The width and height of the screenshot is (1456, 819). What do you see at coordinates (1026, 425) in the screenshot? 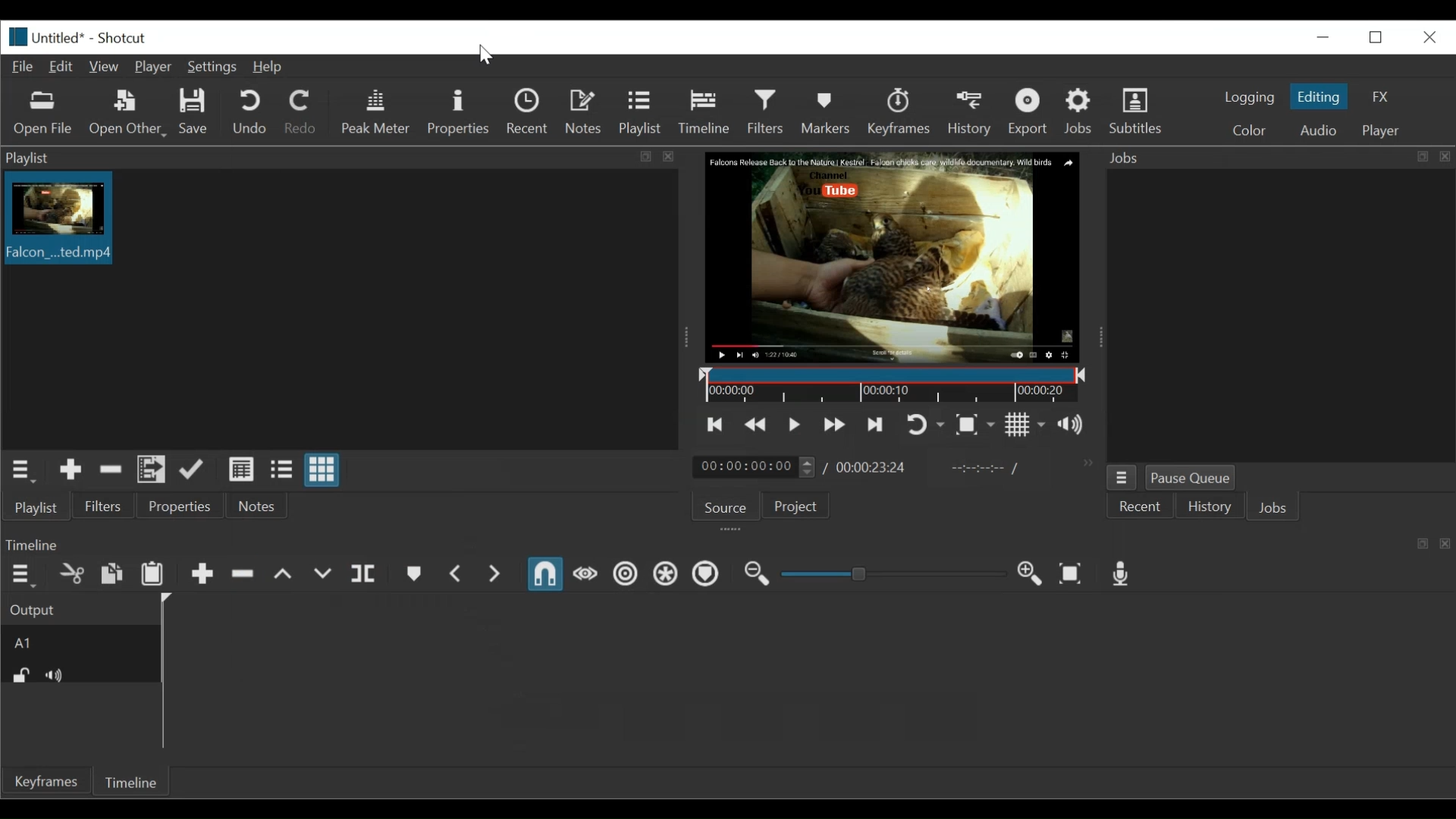
I see `Toggle grid display on the player` at bounding box center [1026, 425].